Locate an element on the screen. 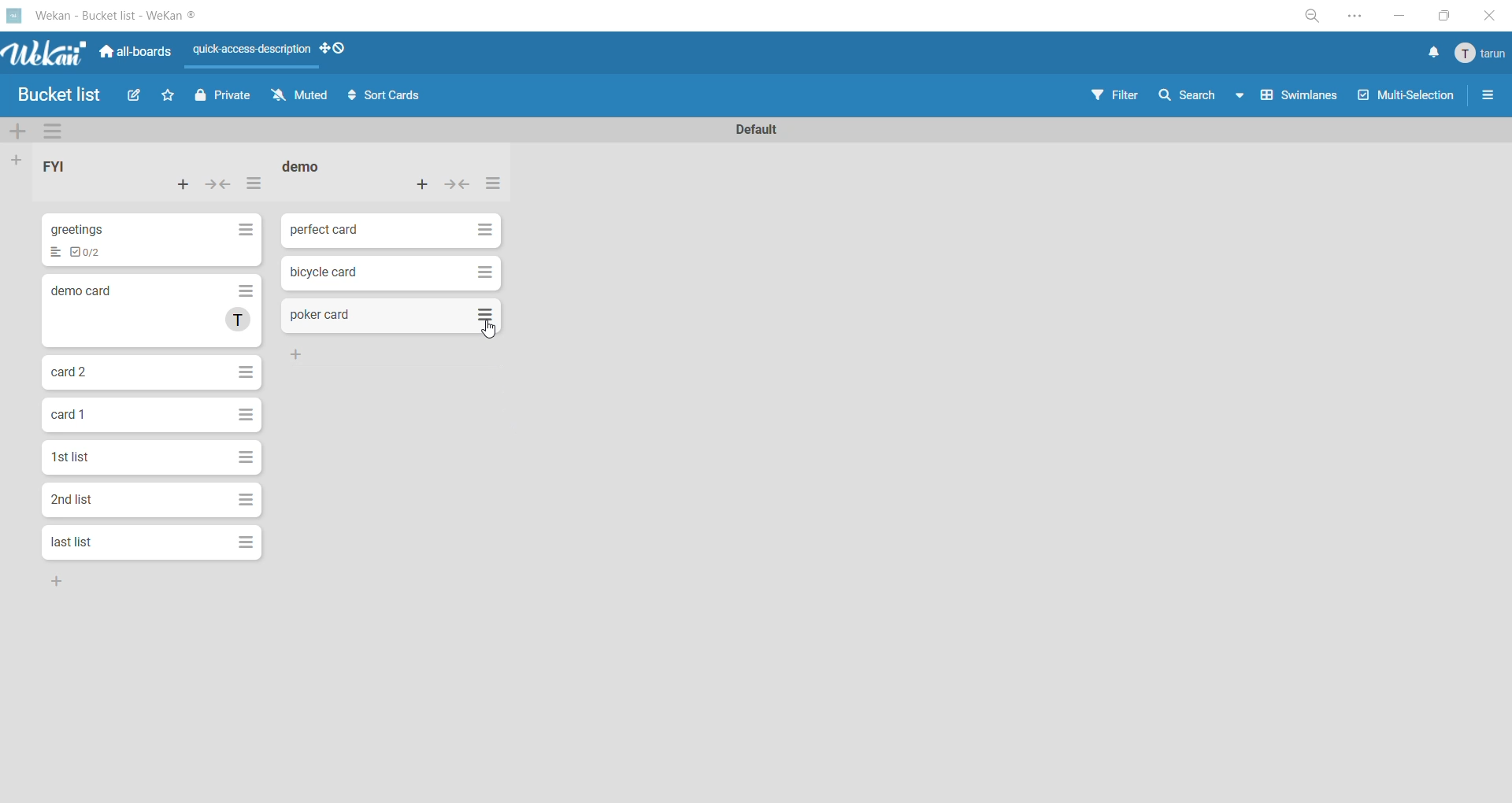  Hamburger is located at coordinates (245, 413).